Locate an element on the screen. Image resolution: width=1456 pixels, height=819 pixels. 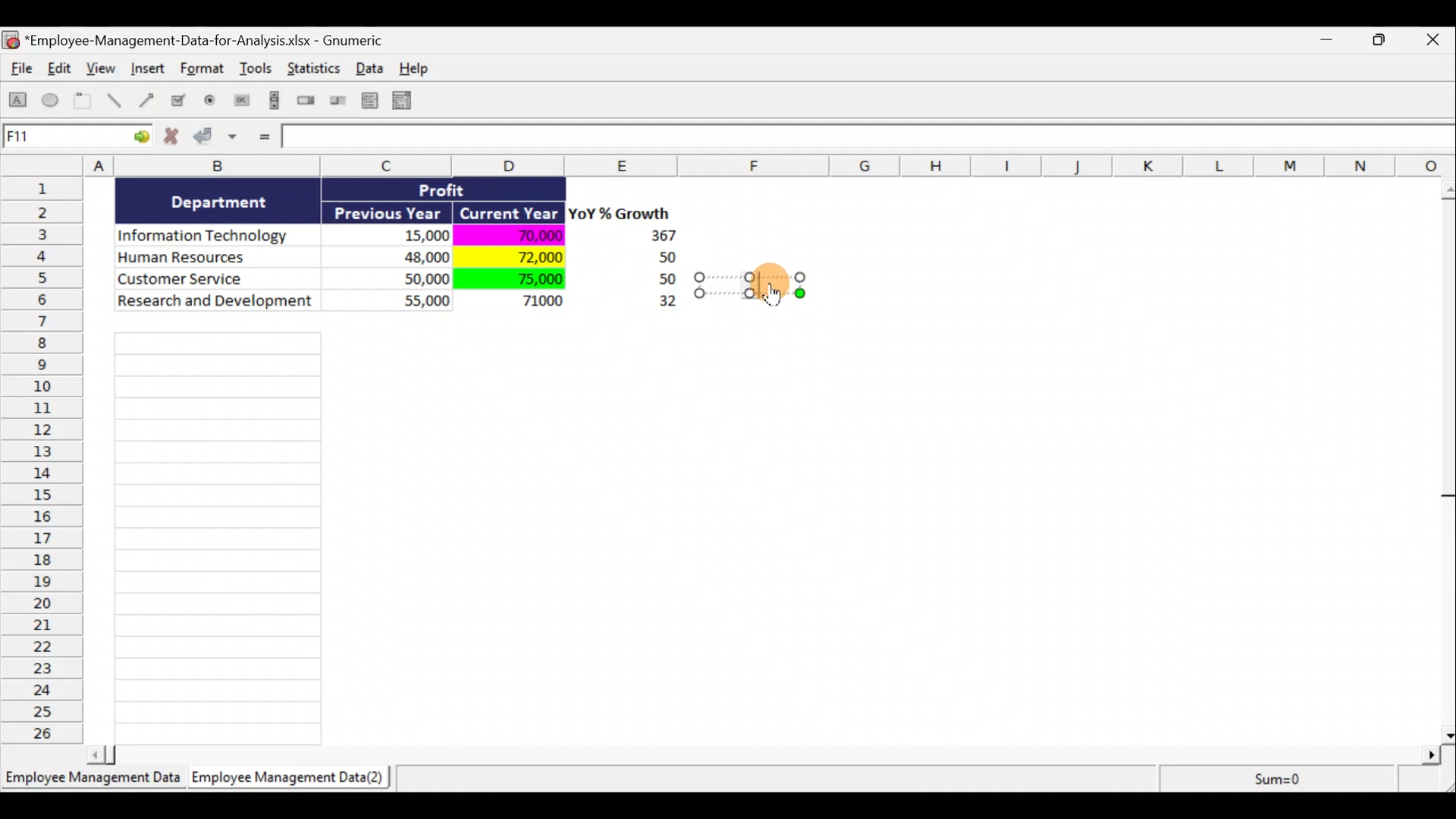
Edit is located at coordinates (61, 70).